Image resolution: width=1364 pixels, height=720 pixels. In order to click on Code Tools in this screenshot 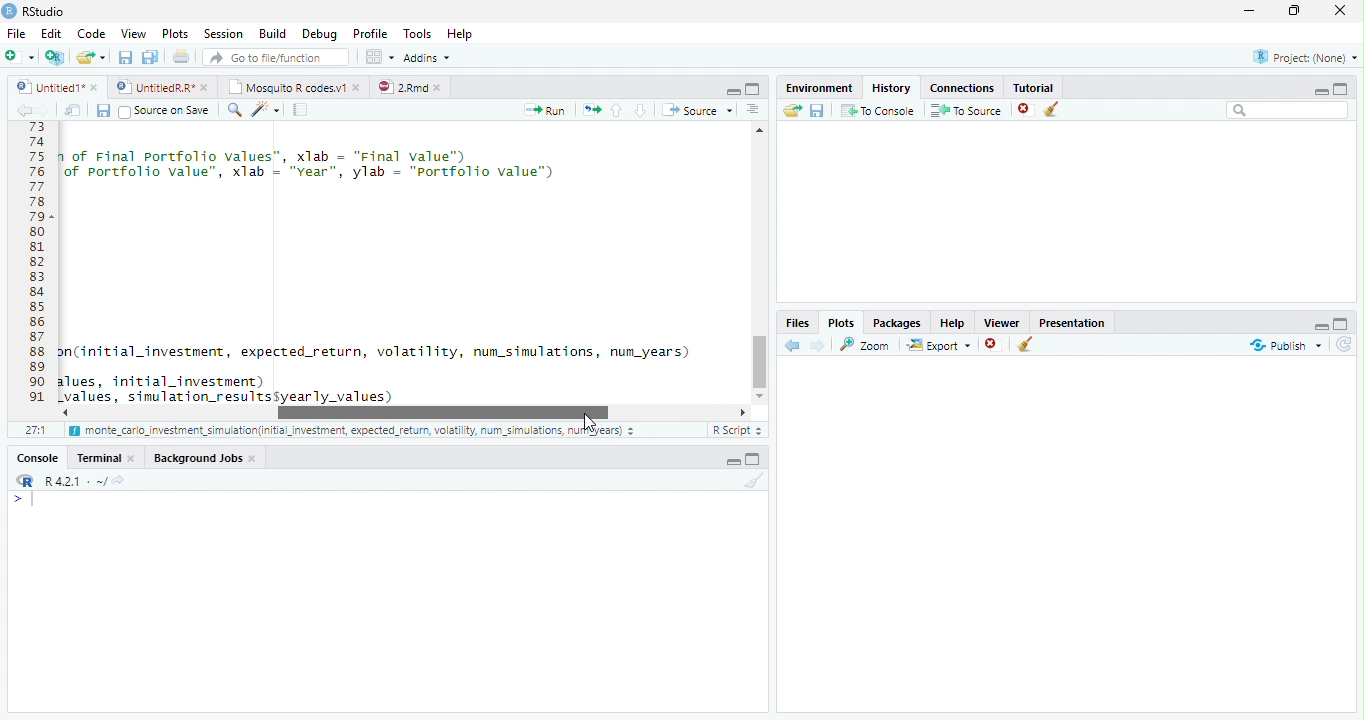, I will do `click(266, 110)`.